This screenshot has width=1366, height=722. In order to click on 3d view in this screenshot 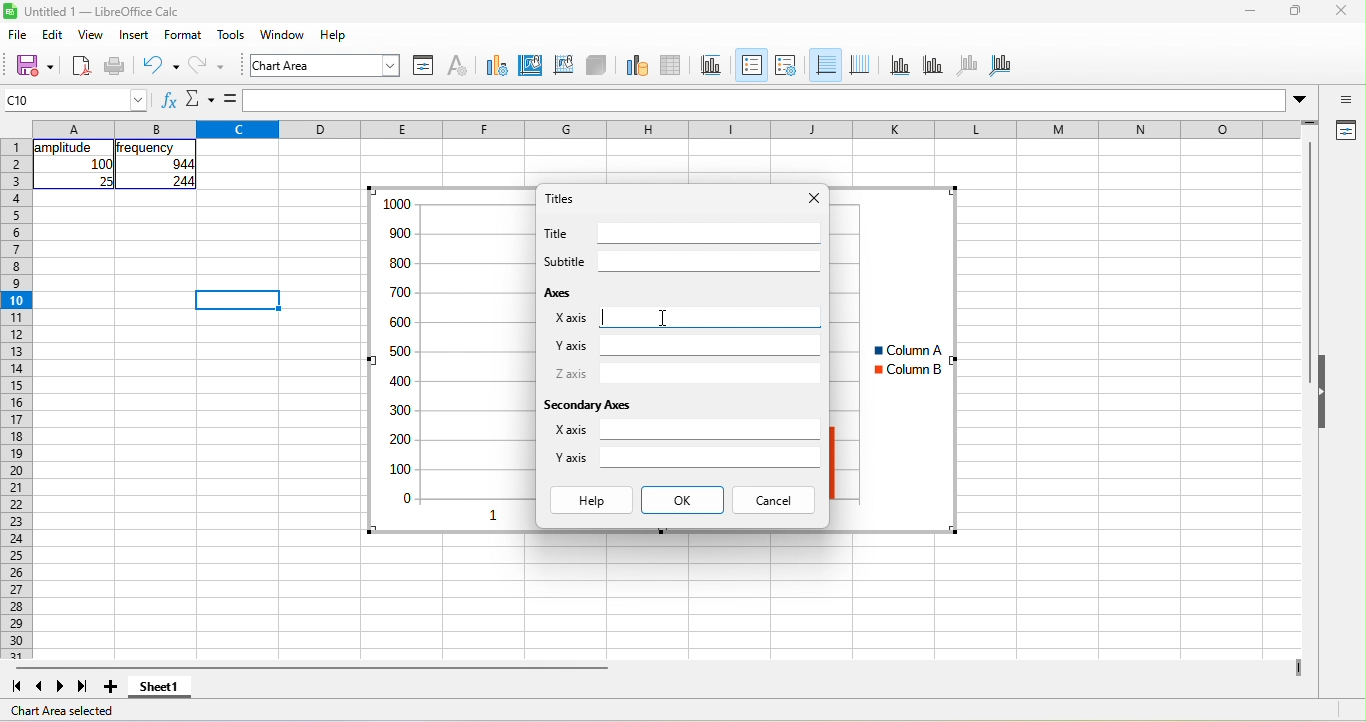, I will do `click(596, 66)`.